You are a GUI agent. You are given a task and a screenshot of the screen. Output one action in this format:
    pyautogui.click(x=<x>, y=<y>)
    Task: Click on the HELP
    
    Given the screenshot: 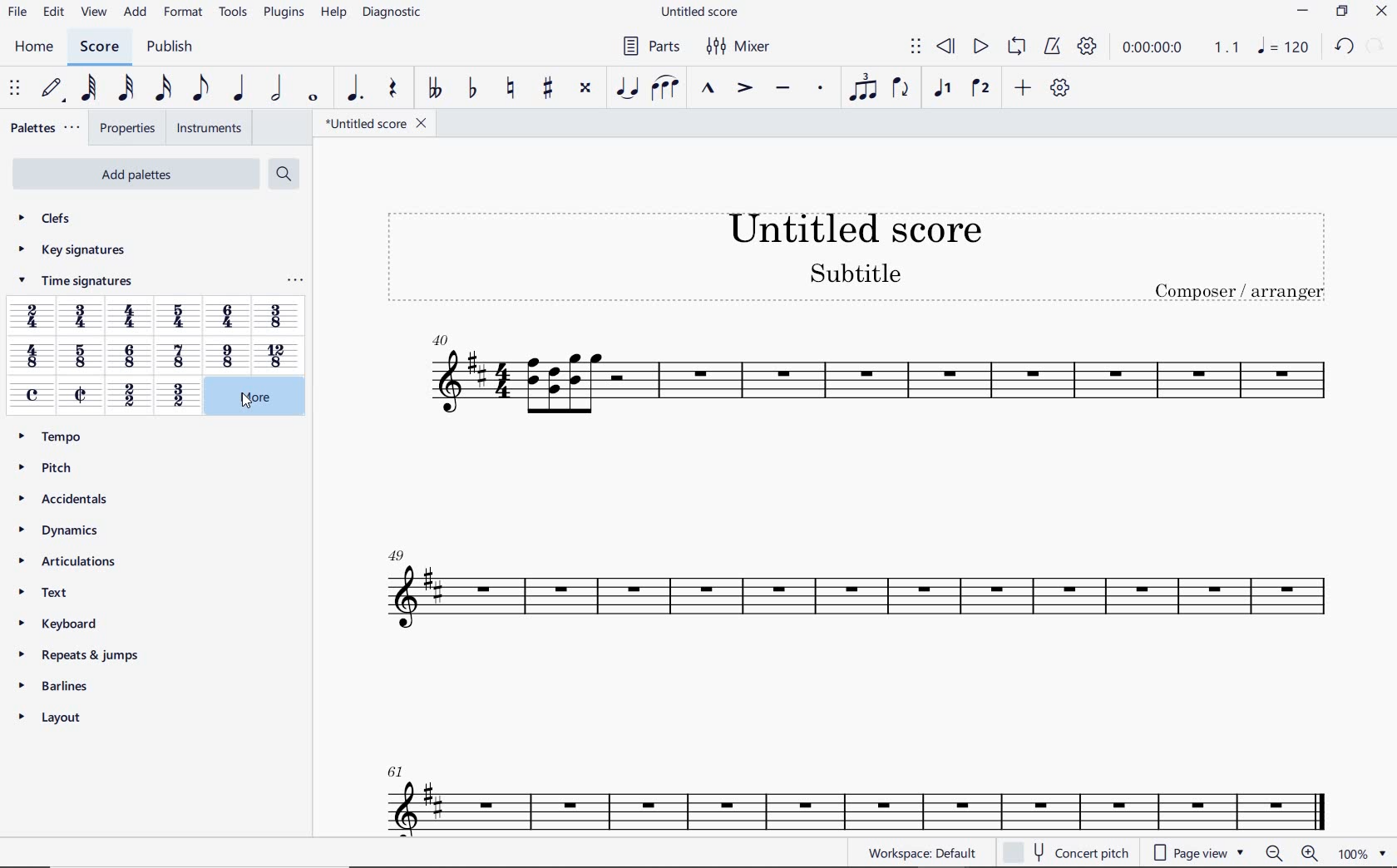 What is the action you would take?
    pyautogui.click(x=333, y=14)
    